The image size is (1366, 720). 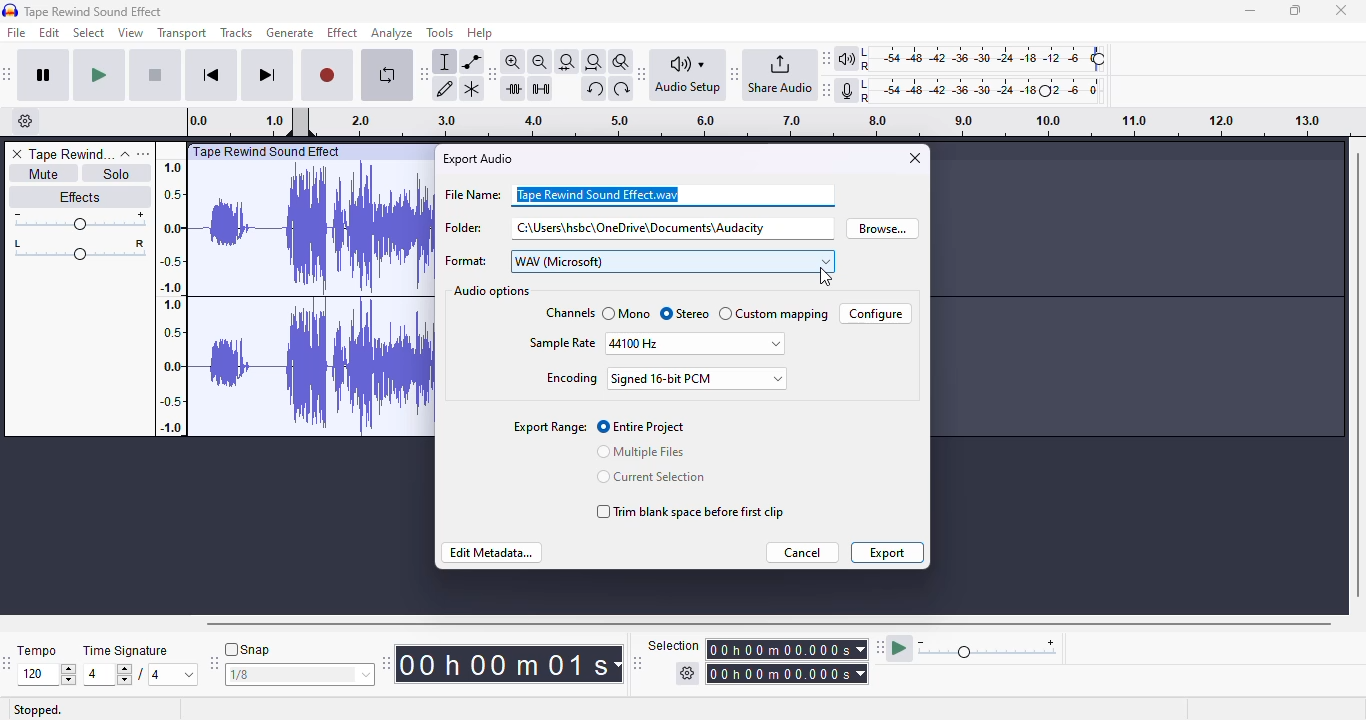 What do you see at coordinates (9, 662) in the screenshot?
I see `audacity time signature toolbar` at bounding box center [9, 662].